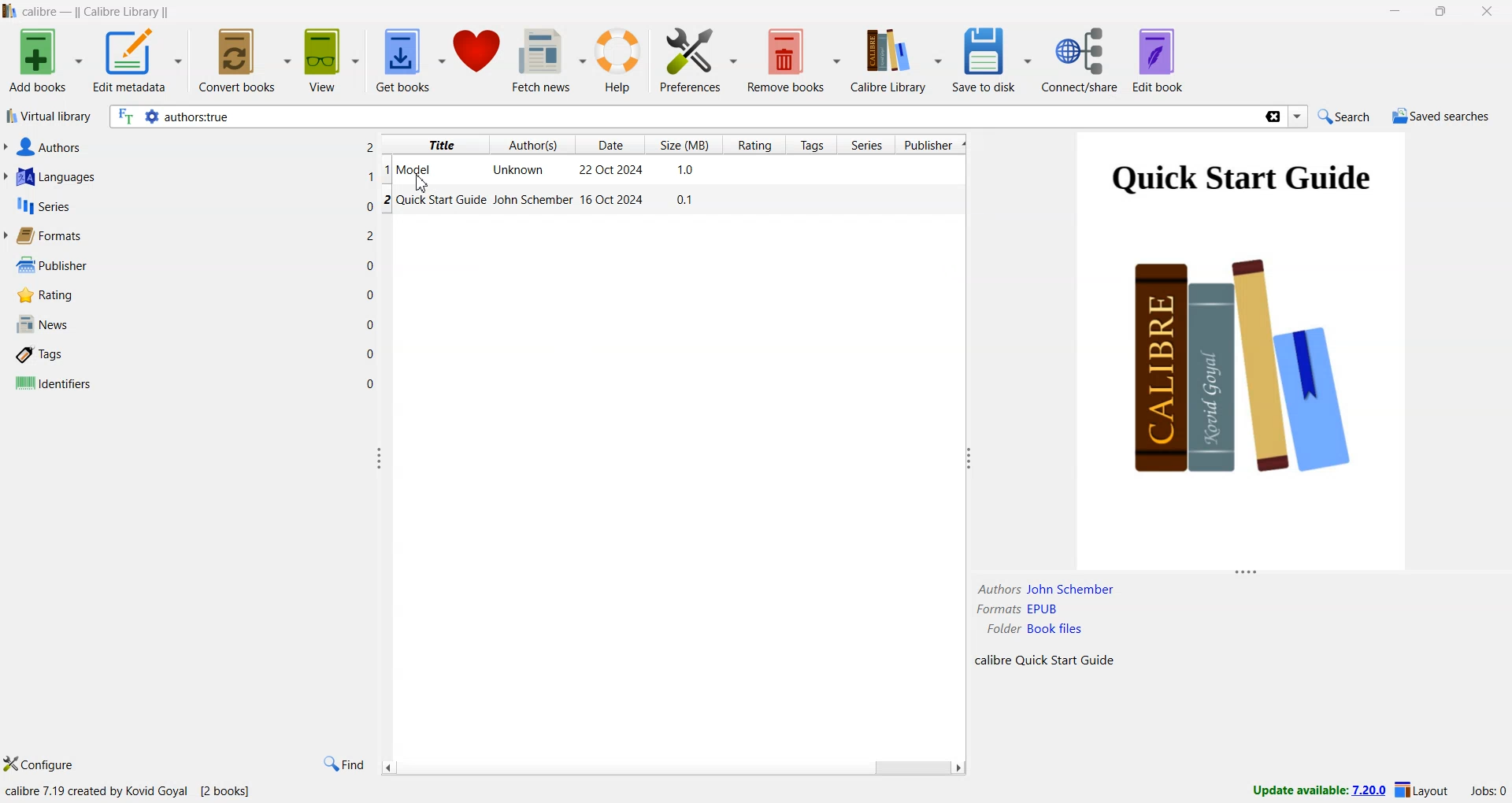 The image size is (1512, 803). Describe the element at coordinates (1484, 794) in the screenshot. I see `jobs` at that location.